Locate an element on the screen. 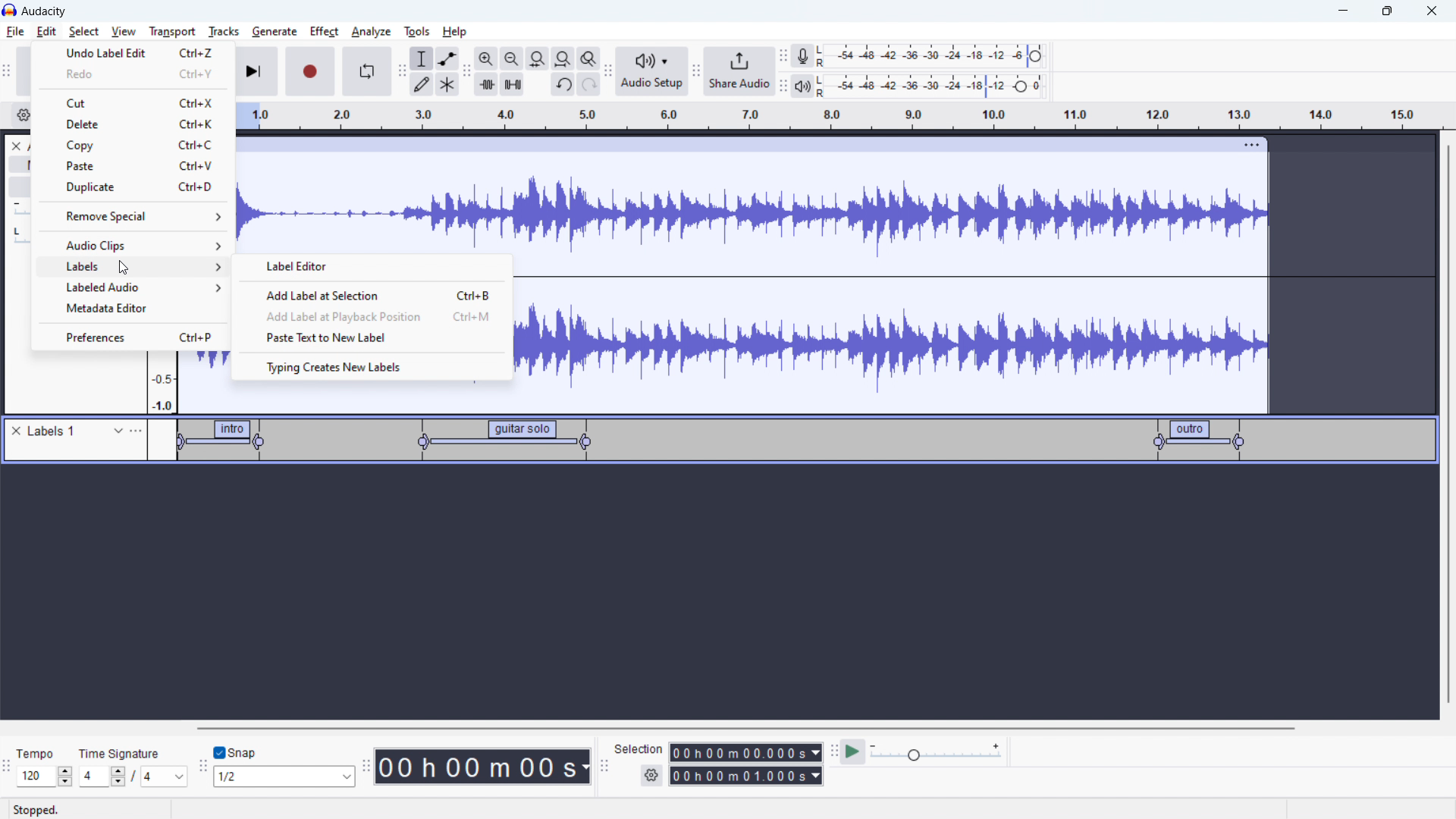 The width and height of the screenshot is (1456, 819). selection tool is located at coordinates (422, 58).